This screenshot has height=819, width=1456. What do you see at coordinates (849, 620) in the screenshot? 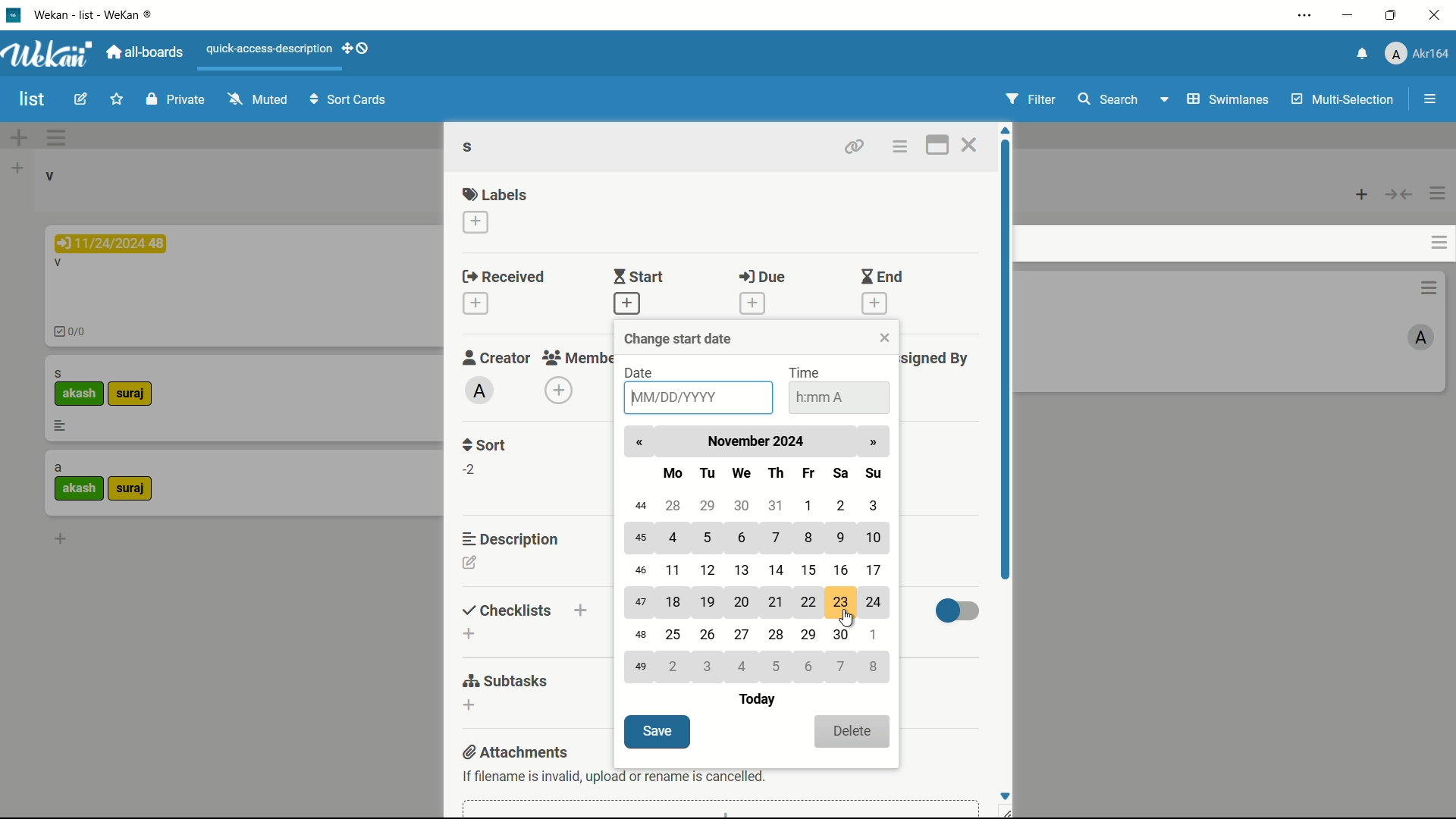
I see `cursor` at bounding box center [849, 620].